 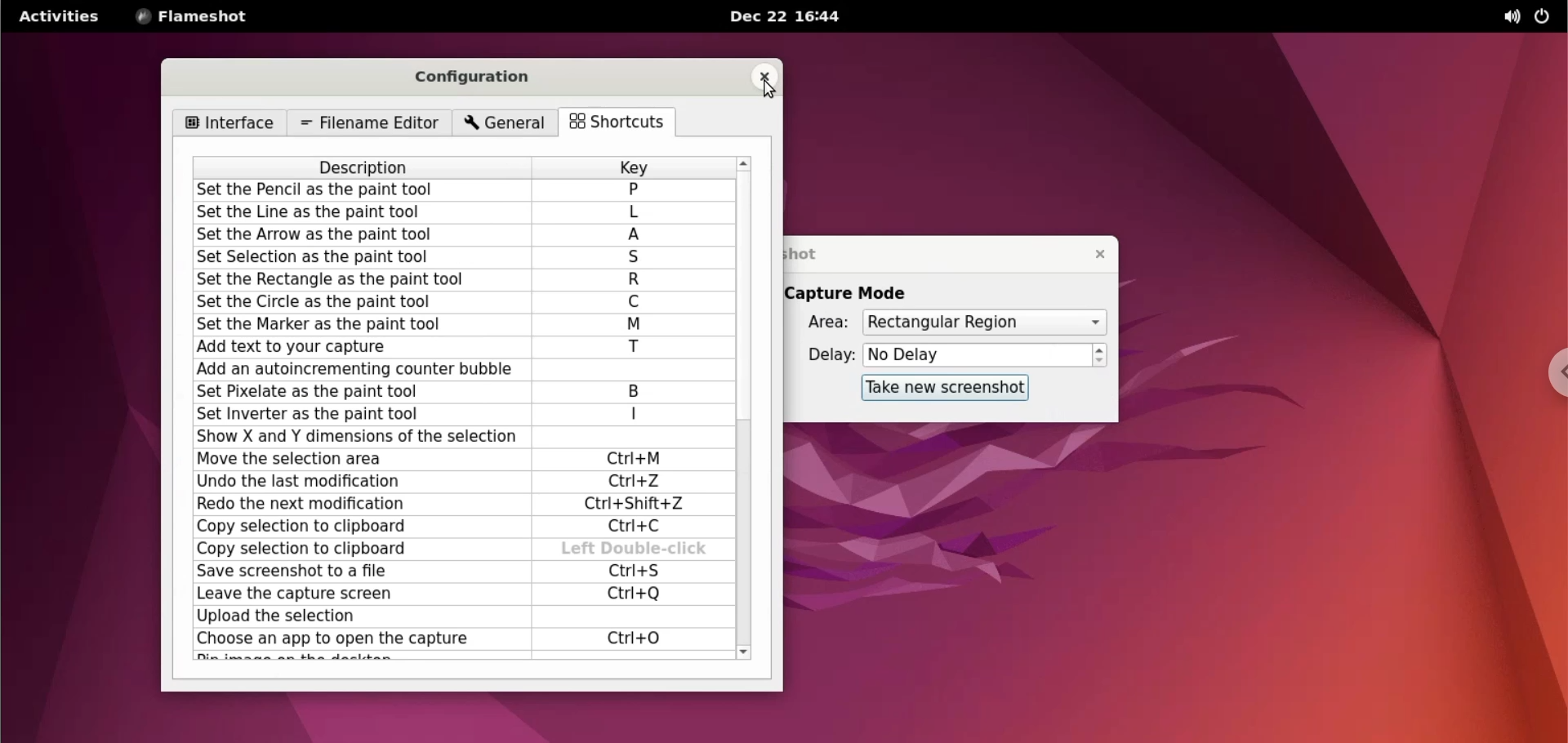 I want to click on copy selection to clipboard , so click(x=355, y=529).